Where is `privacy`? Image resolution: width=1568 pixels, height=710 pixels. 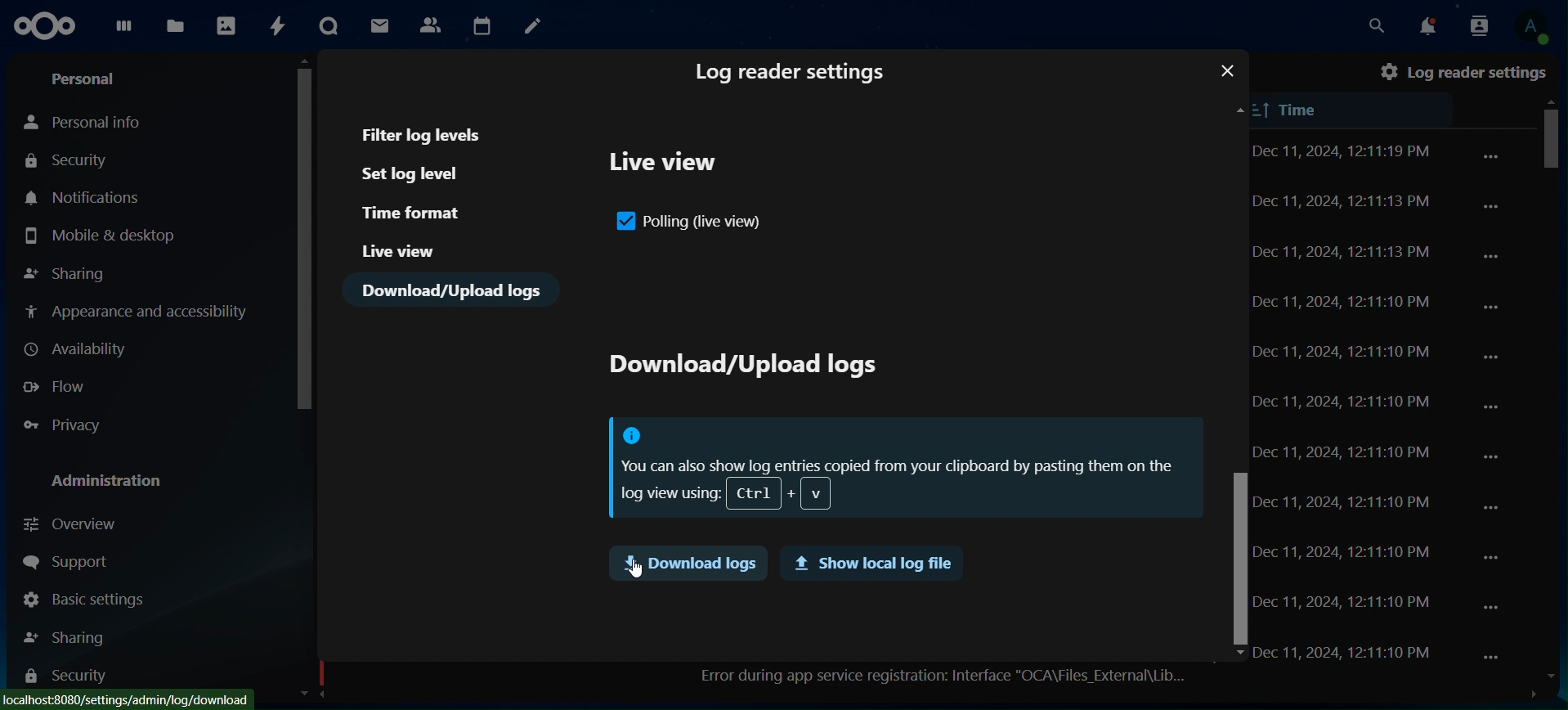
privacy is located at coordinates (69, 425).